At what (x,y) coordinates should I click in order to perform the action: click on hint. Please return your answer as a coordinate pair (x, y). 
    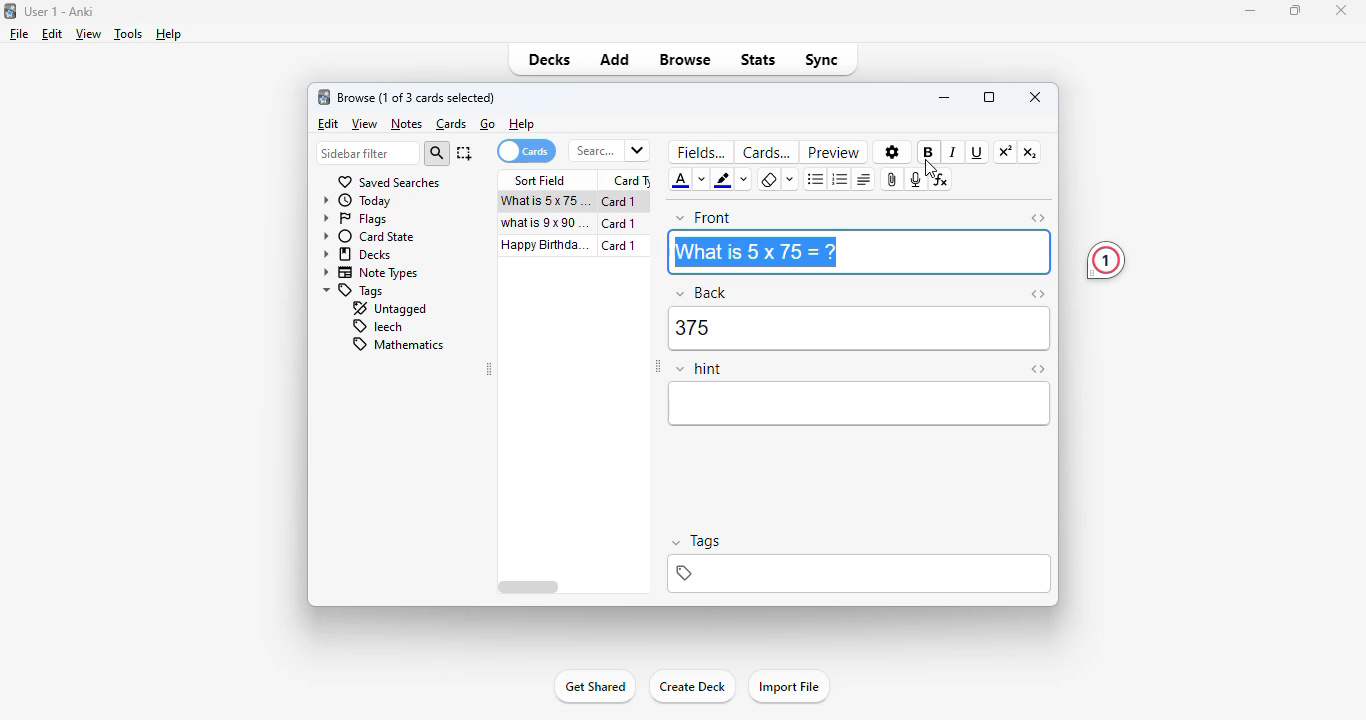
    Looking at the image, I should click on (699, 370).